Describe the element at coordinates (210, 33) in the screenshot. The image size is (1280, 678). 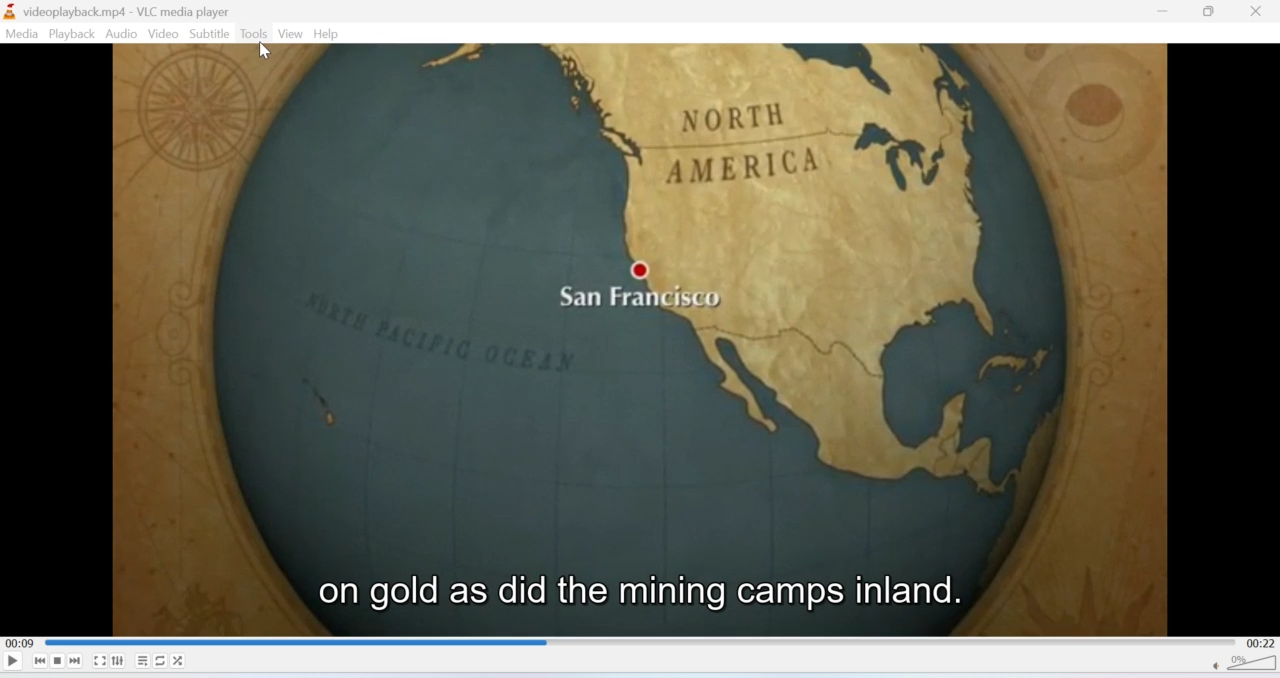
I see `Subtitle` at that location.